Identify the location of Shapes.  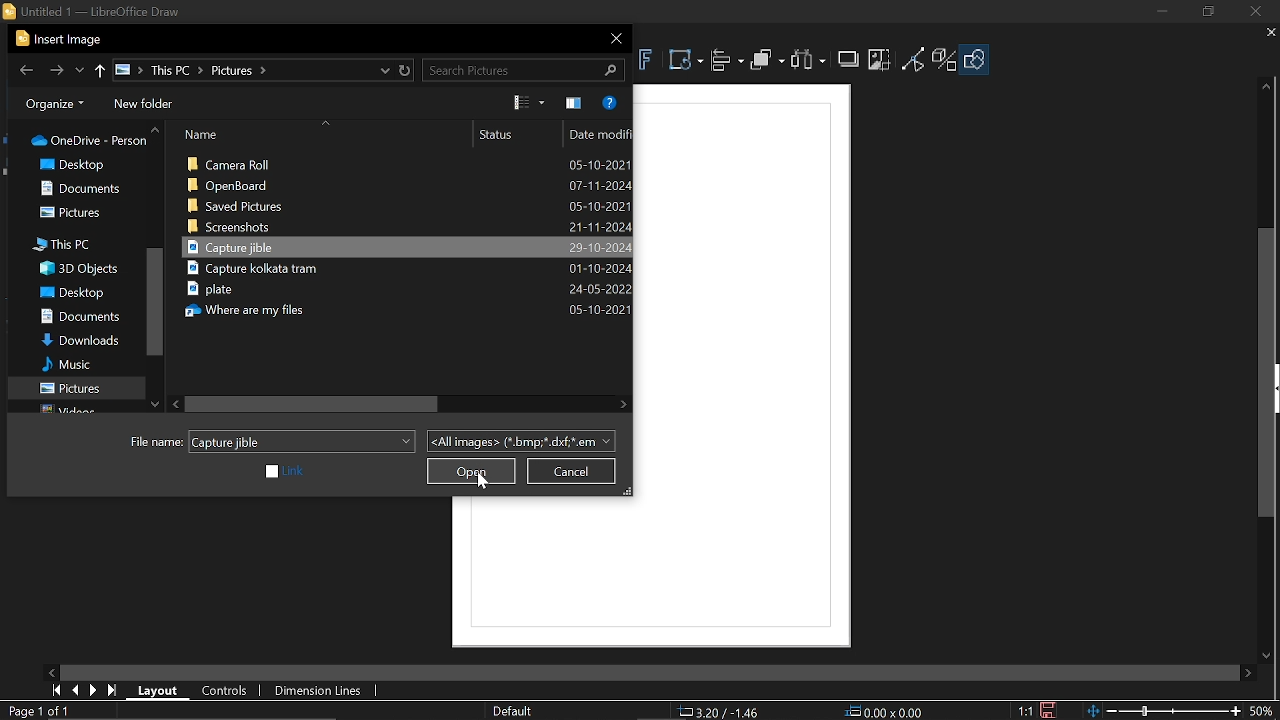
(978, 59).